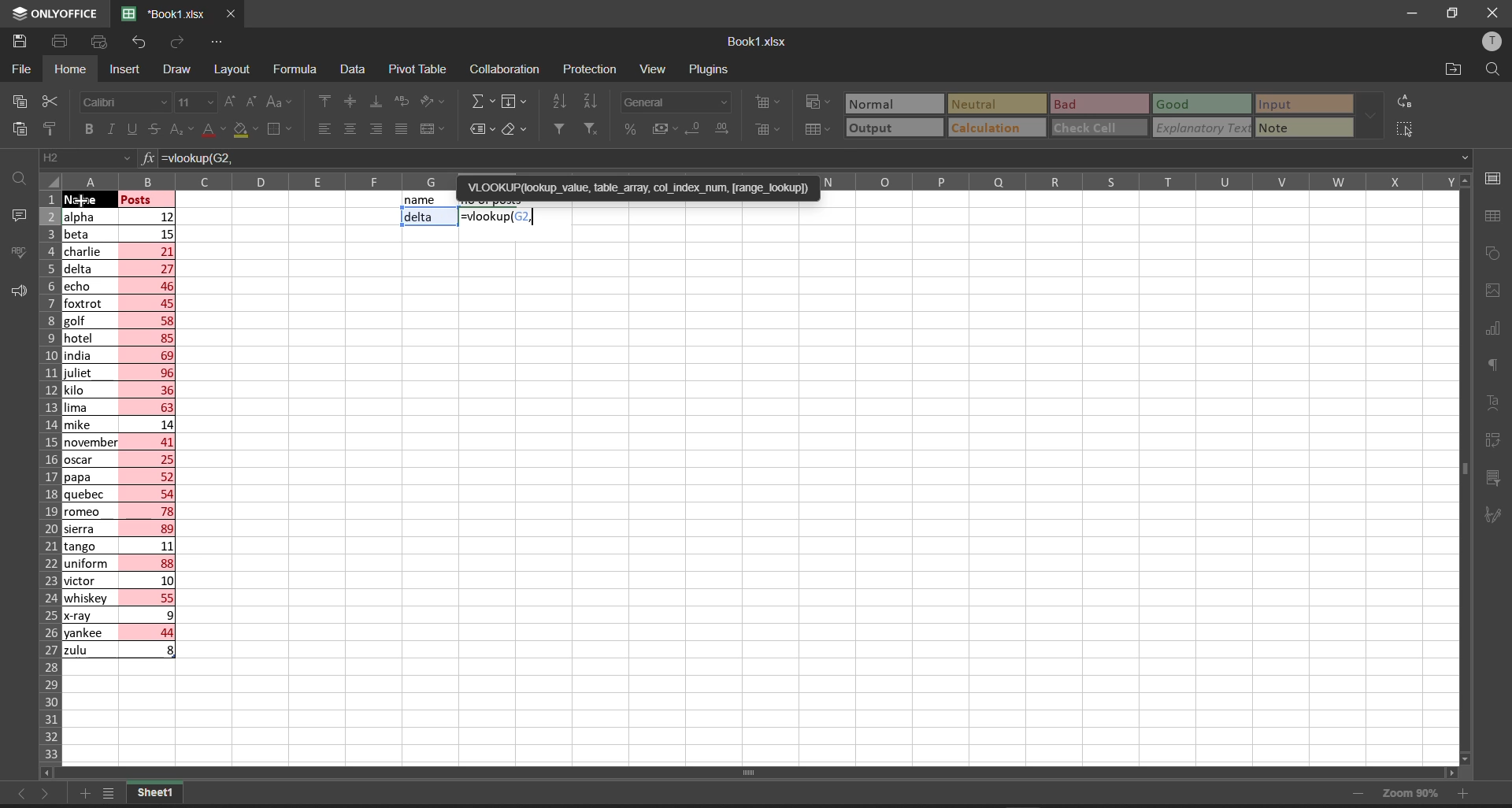 This screenshot has height=808, width=1512. Describe the element at coordinates (765, 103) in the screenshot. I see `insert cells` at that location.